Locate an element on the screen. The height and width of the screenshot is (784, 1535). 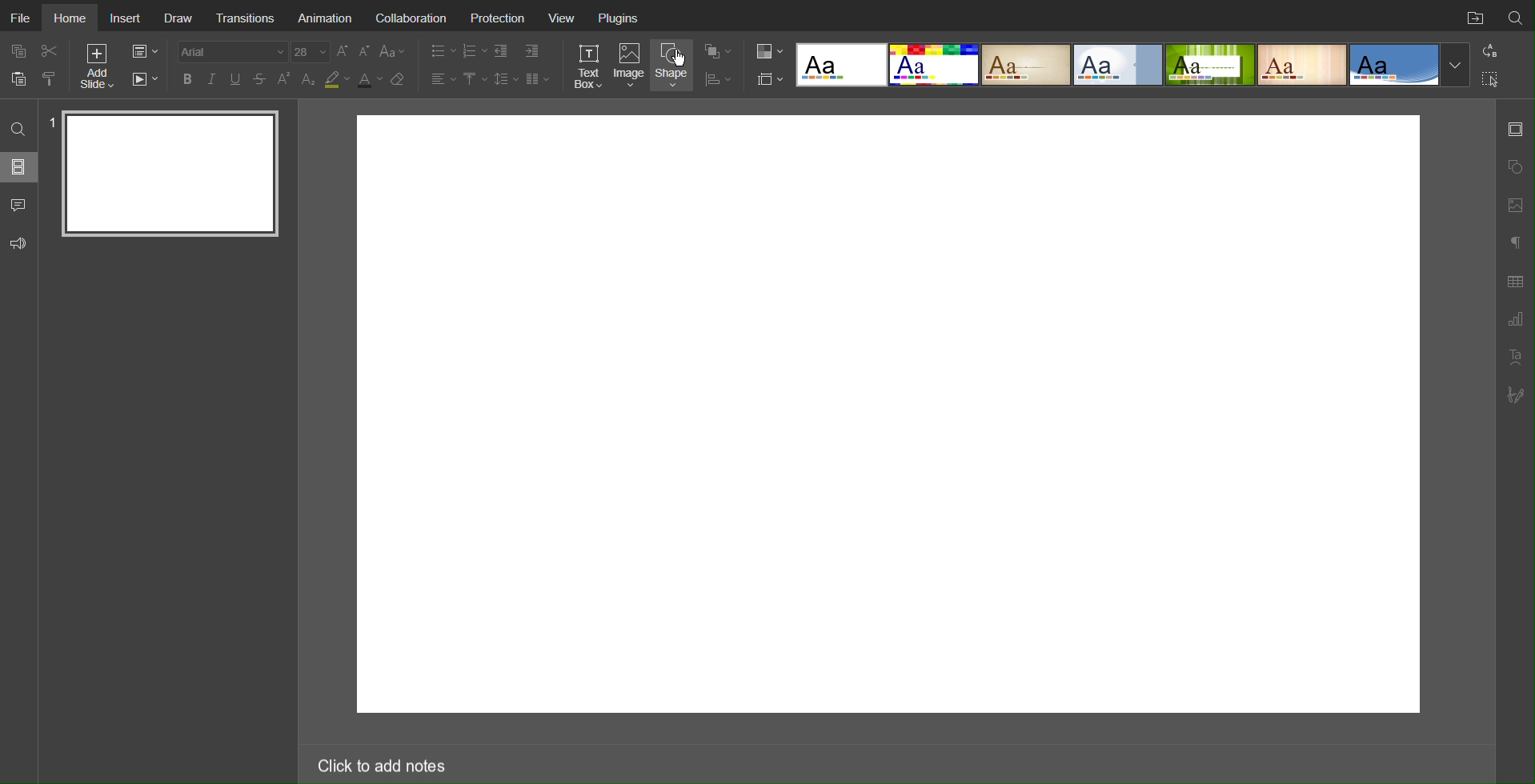
View is located at coordinates (563, 17).